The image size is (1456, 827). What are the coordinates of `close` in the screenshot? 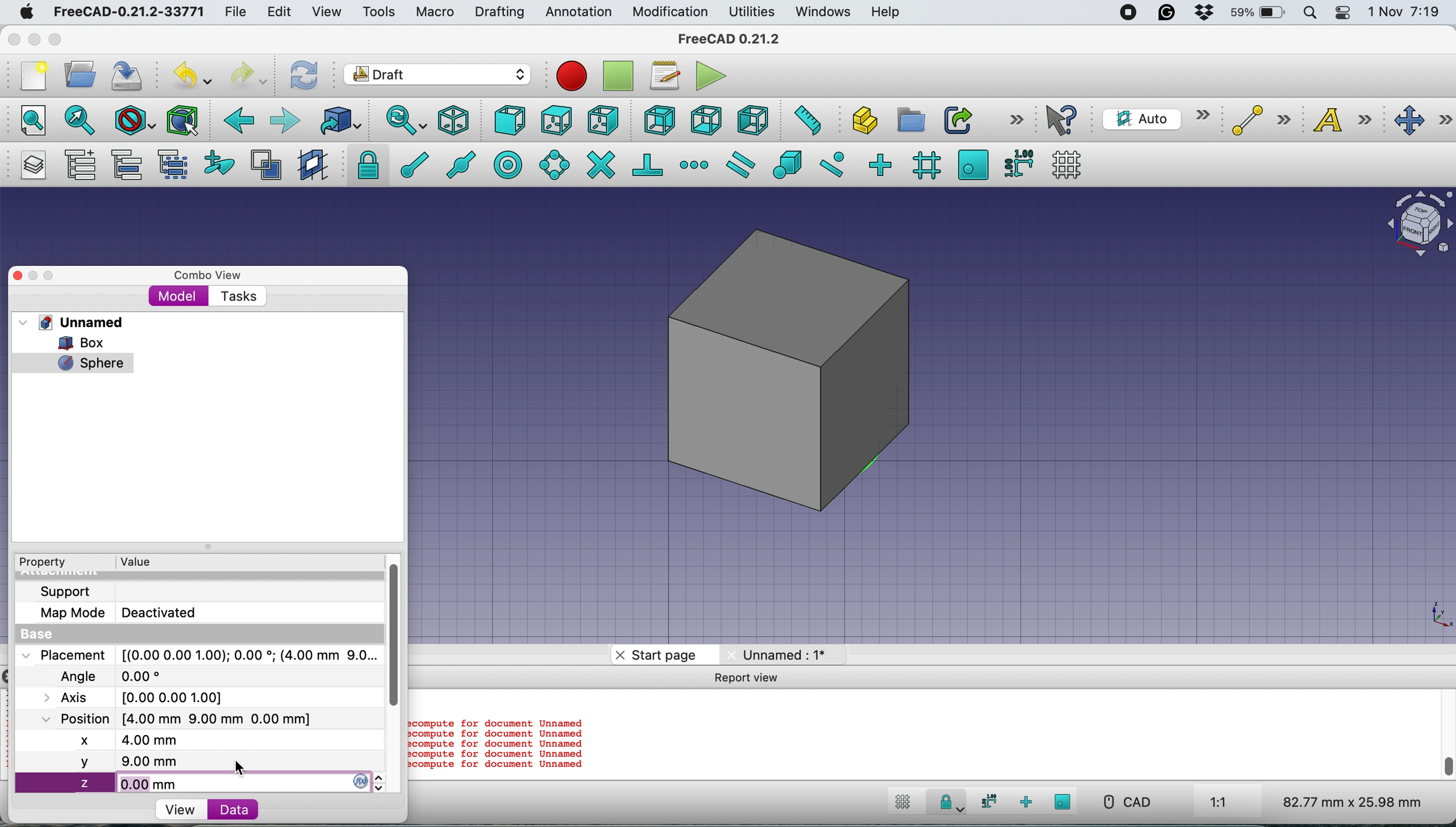 It's located at (14, 36).